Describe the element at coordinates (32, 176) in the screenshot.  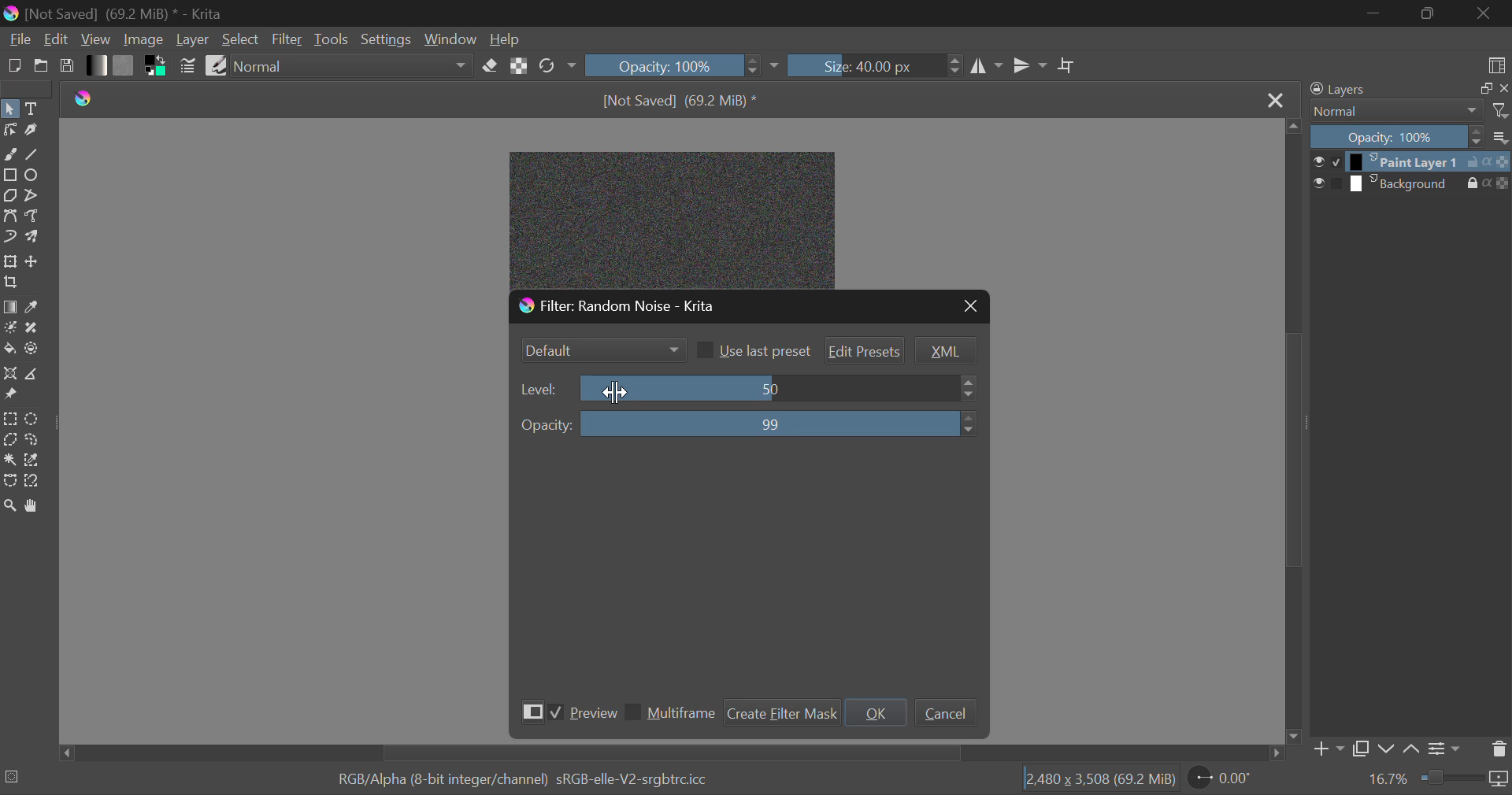
I see `Ellipses` at that location.